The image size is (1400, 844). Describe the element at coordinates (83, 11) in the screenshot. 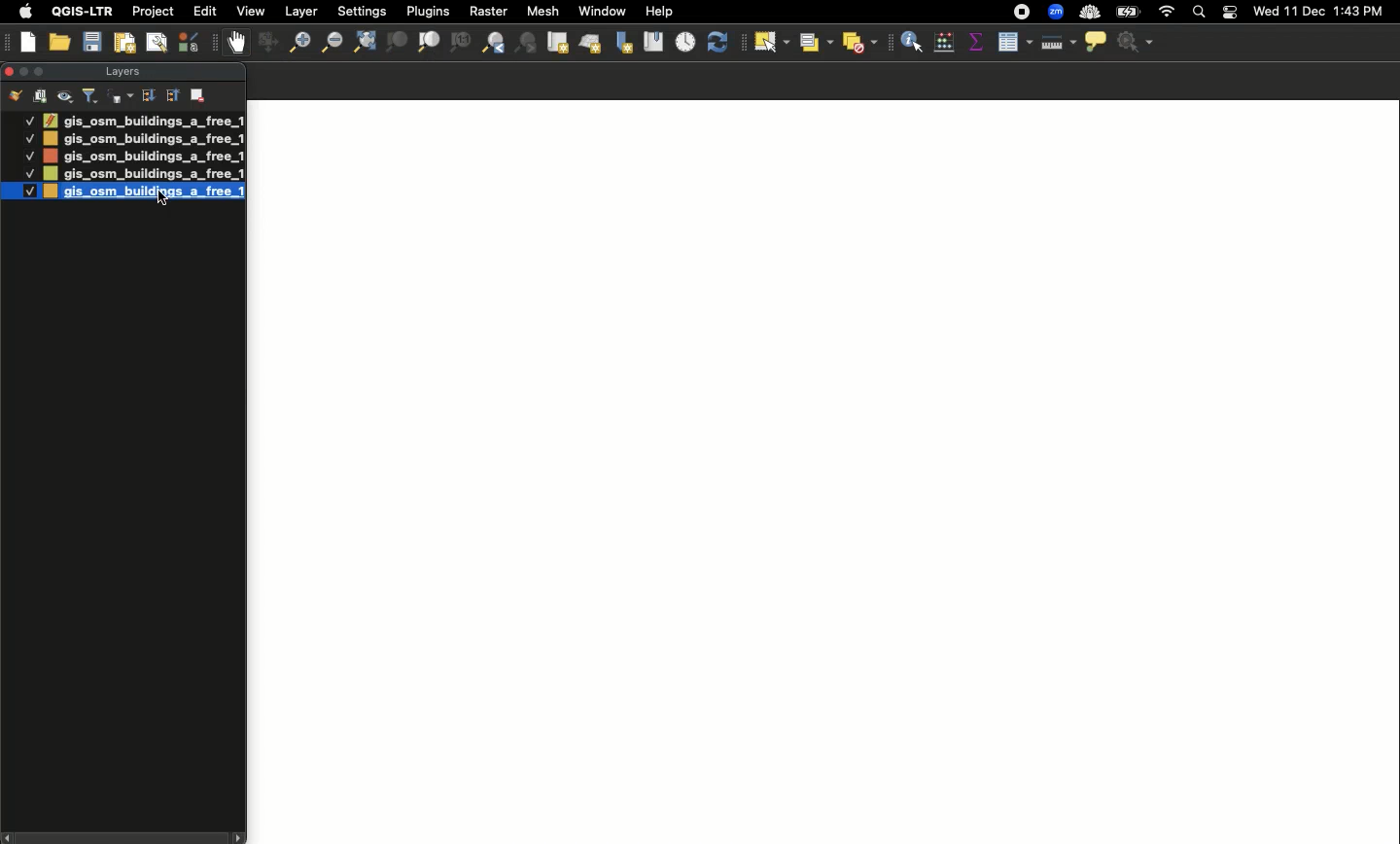

I see `QGIS` at that location.